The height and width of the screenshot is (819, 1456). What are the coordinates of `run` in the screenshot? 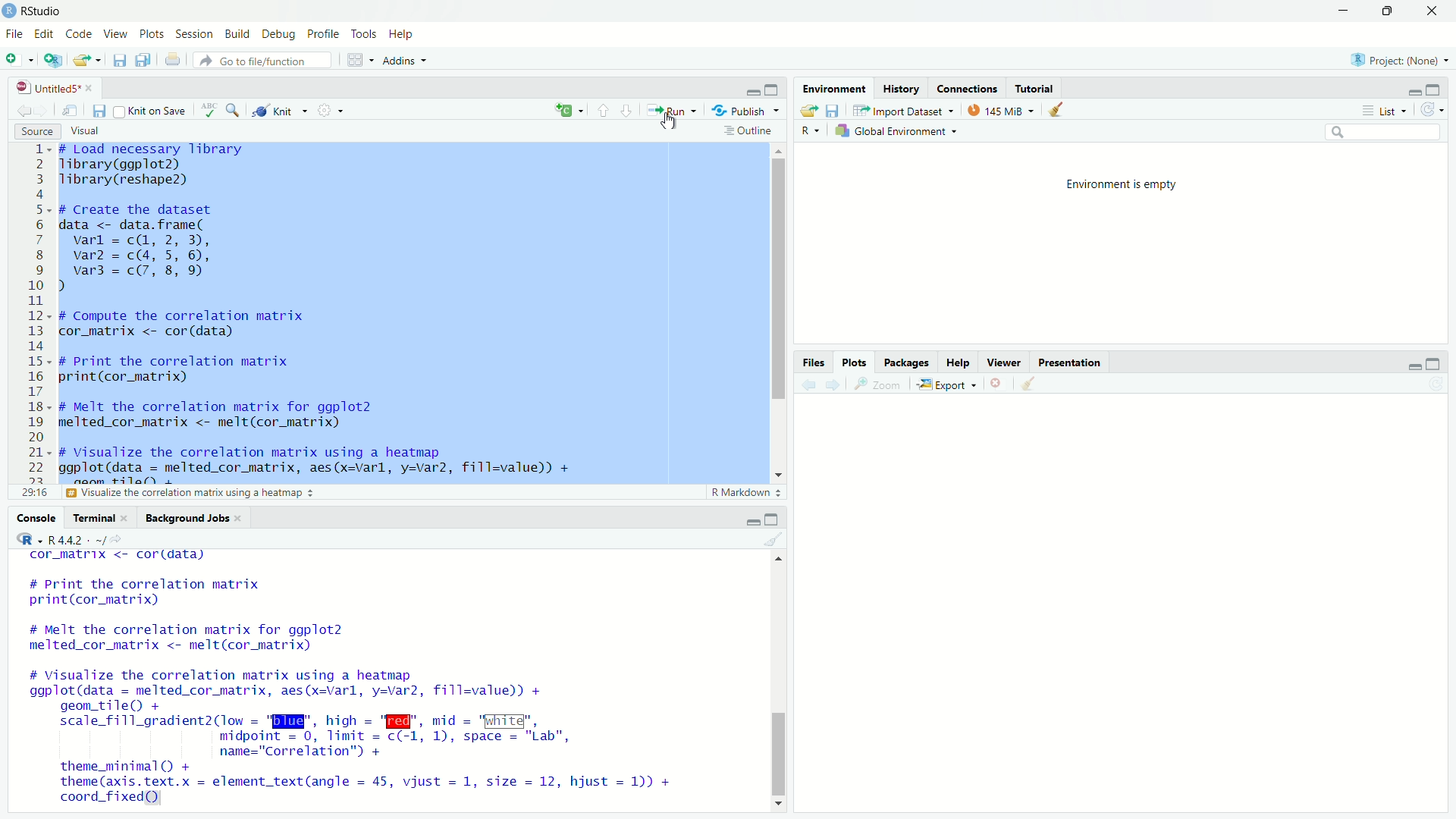 It's located at (670, 111).